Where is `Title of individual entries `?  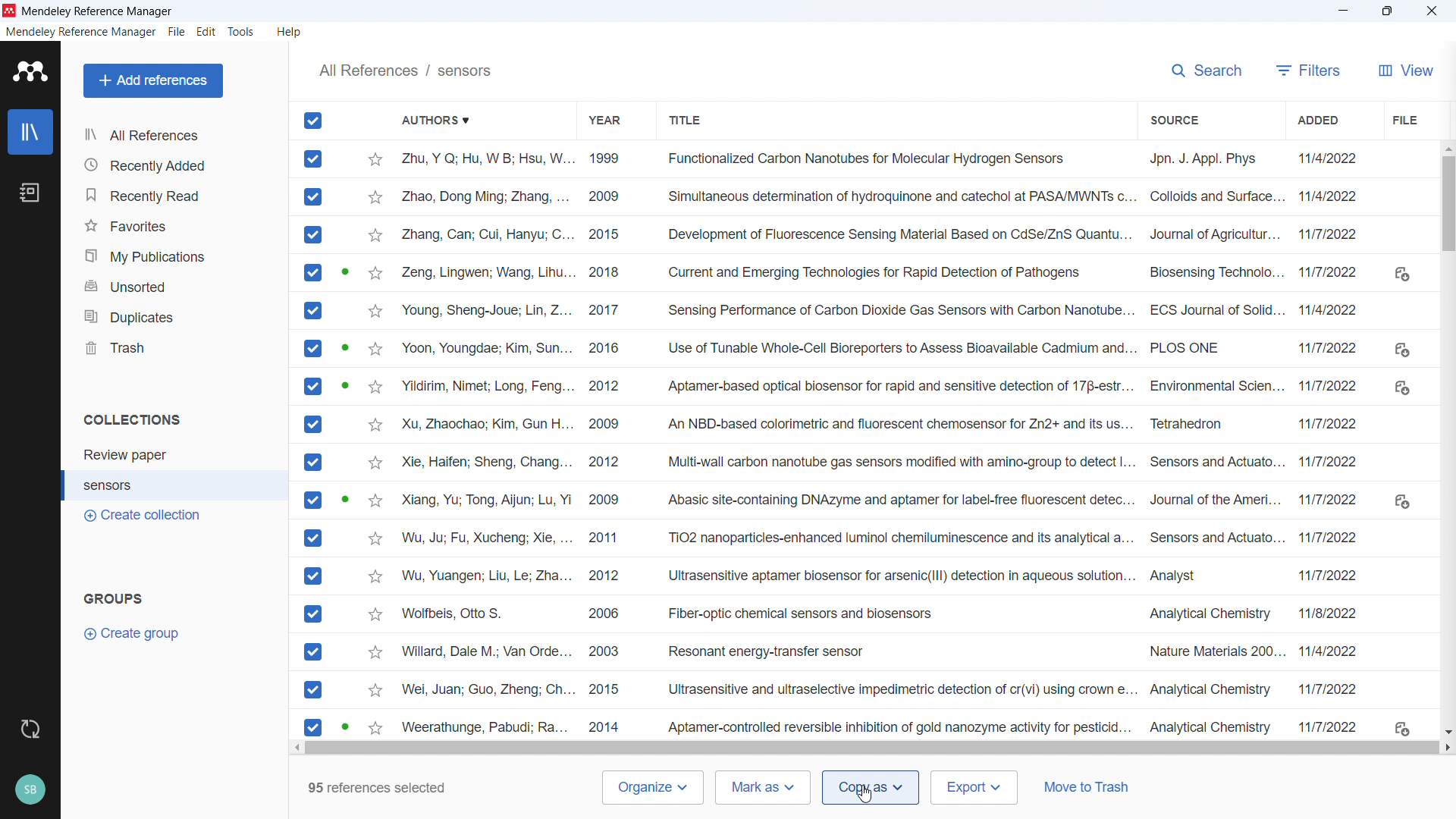
Title of individual entries  is located at coordinates (896, 444).